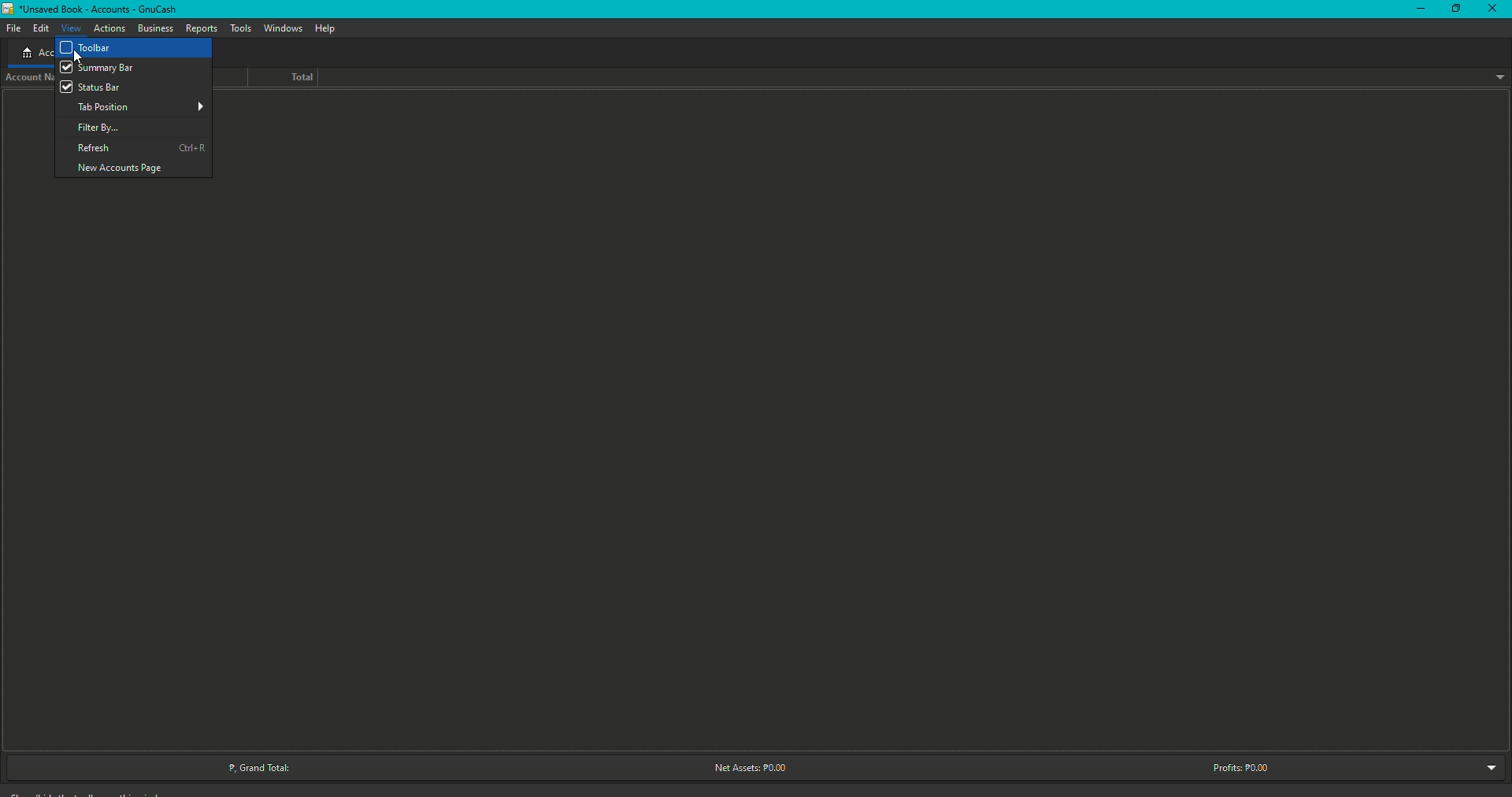 This screenshot has height=797, width=1512. What do you see at coordinates (33, 53) in the screenshot?
I see `Accounts` at bounding box center [33, 53].